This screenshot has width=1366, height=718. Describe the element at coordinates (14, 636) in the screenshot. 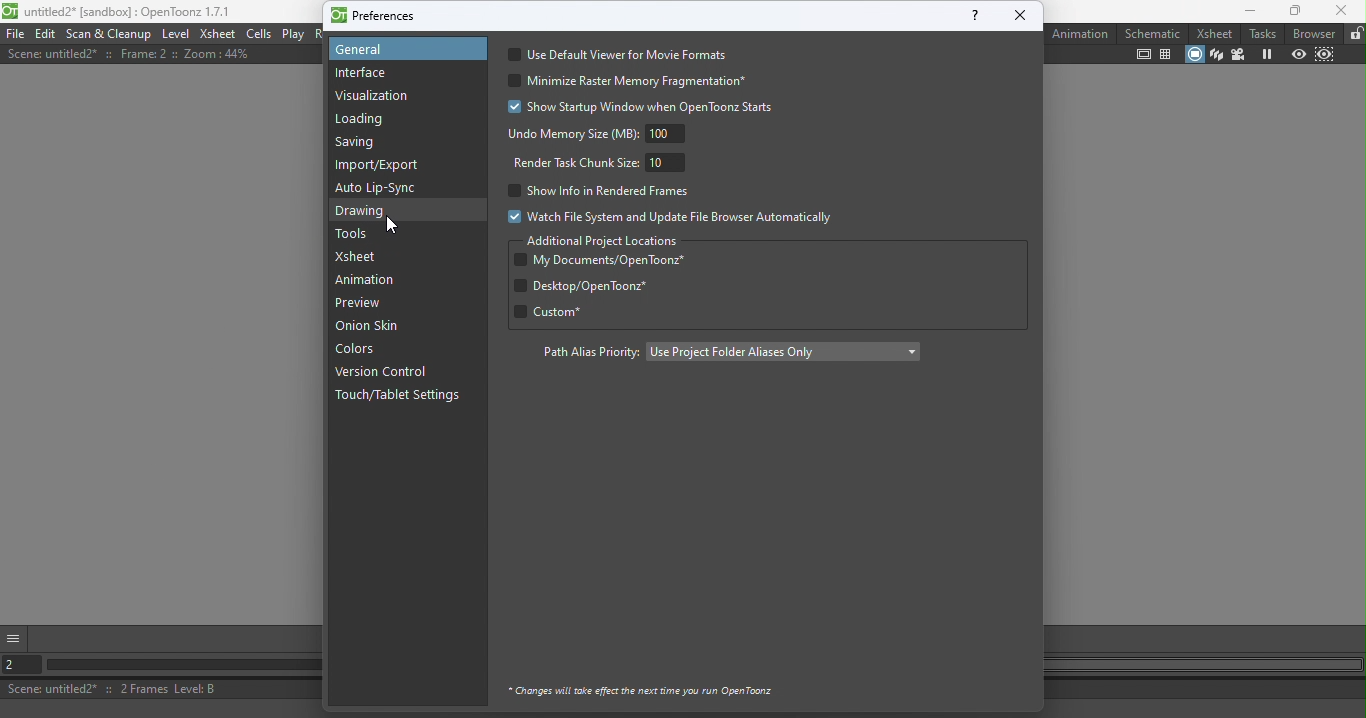

I see `More options` at that location.